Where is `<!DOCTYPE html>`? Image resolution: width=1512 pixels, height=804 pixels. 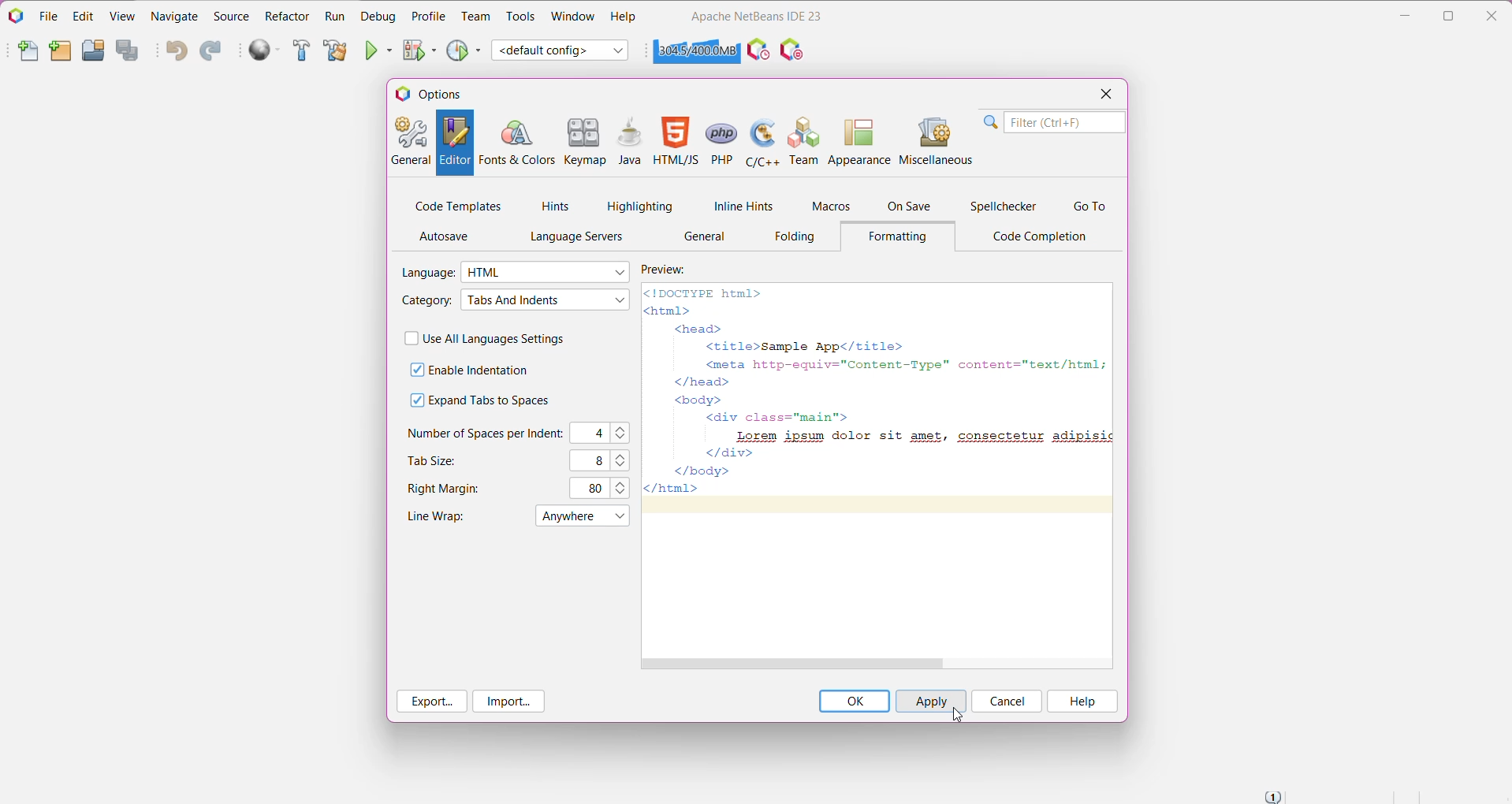
<!DOCTYPE html> is located at coordinates (703, 293).